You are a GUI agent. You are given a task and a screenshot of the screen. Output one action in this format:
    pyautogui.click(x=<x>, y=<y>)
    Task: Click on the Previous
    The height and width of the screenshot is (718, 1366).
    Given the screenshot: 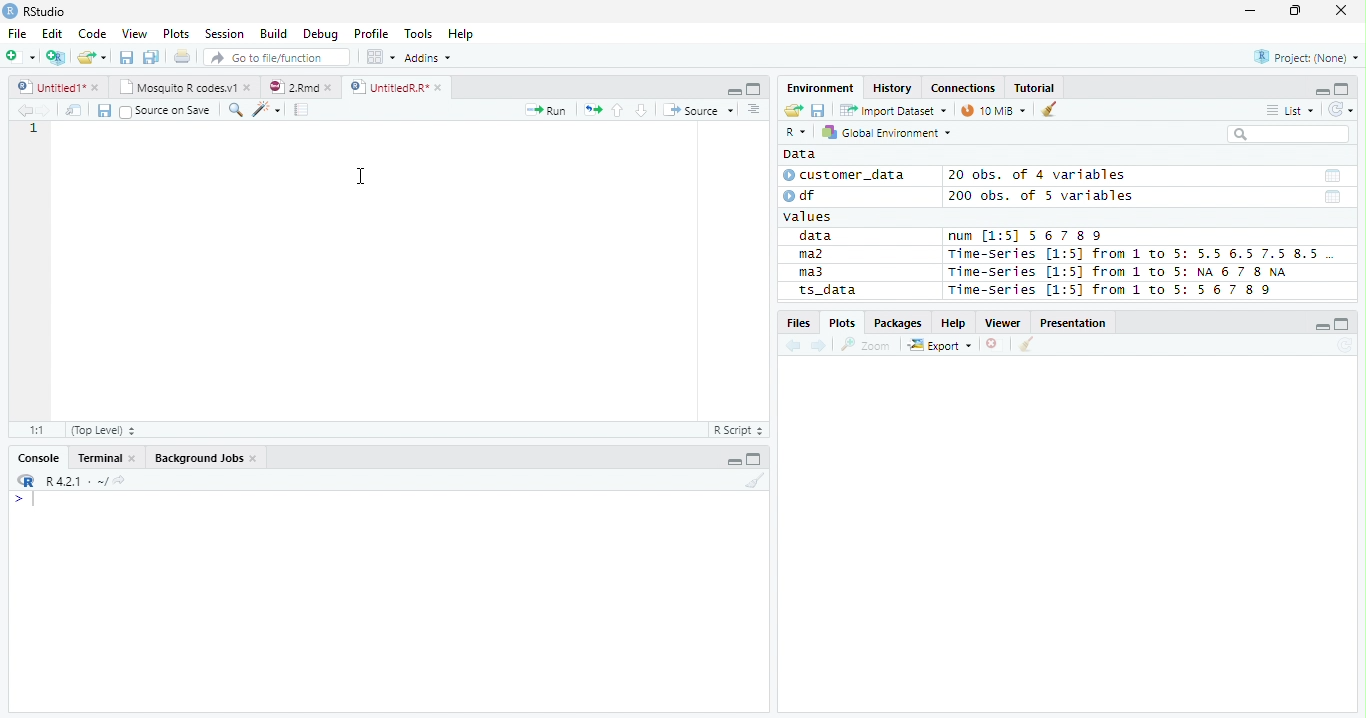 What is the action you would take?
    pyautogui.click(x=22, y=110)
    